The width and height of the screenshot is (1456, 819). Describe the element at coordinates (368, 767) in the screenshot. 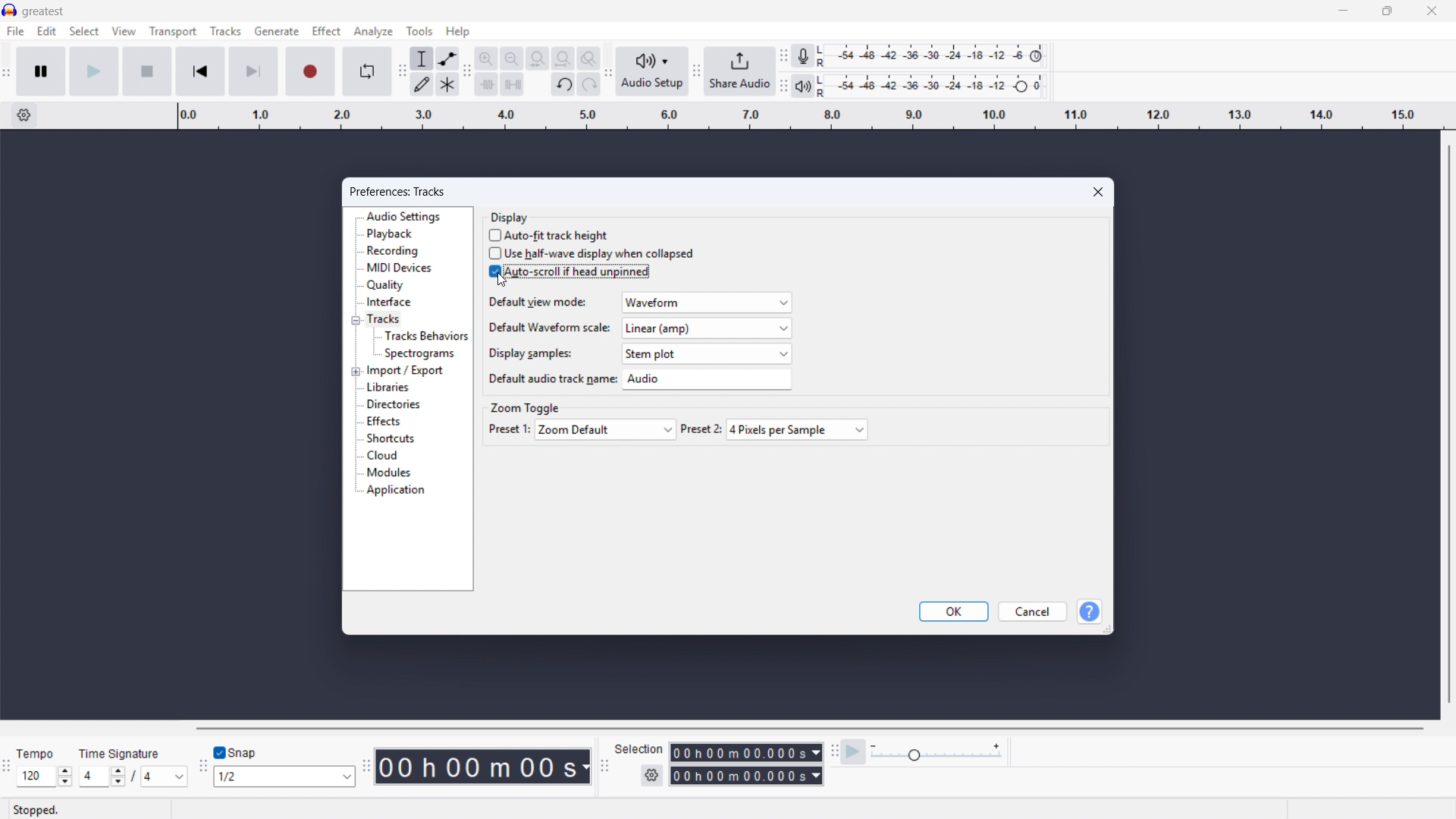

I see `Time toolbar ` at that location.